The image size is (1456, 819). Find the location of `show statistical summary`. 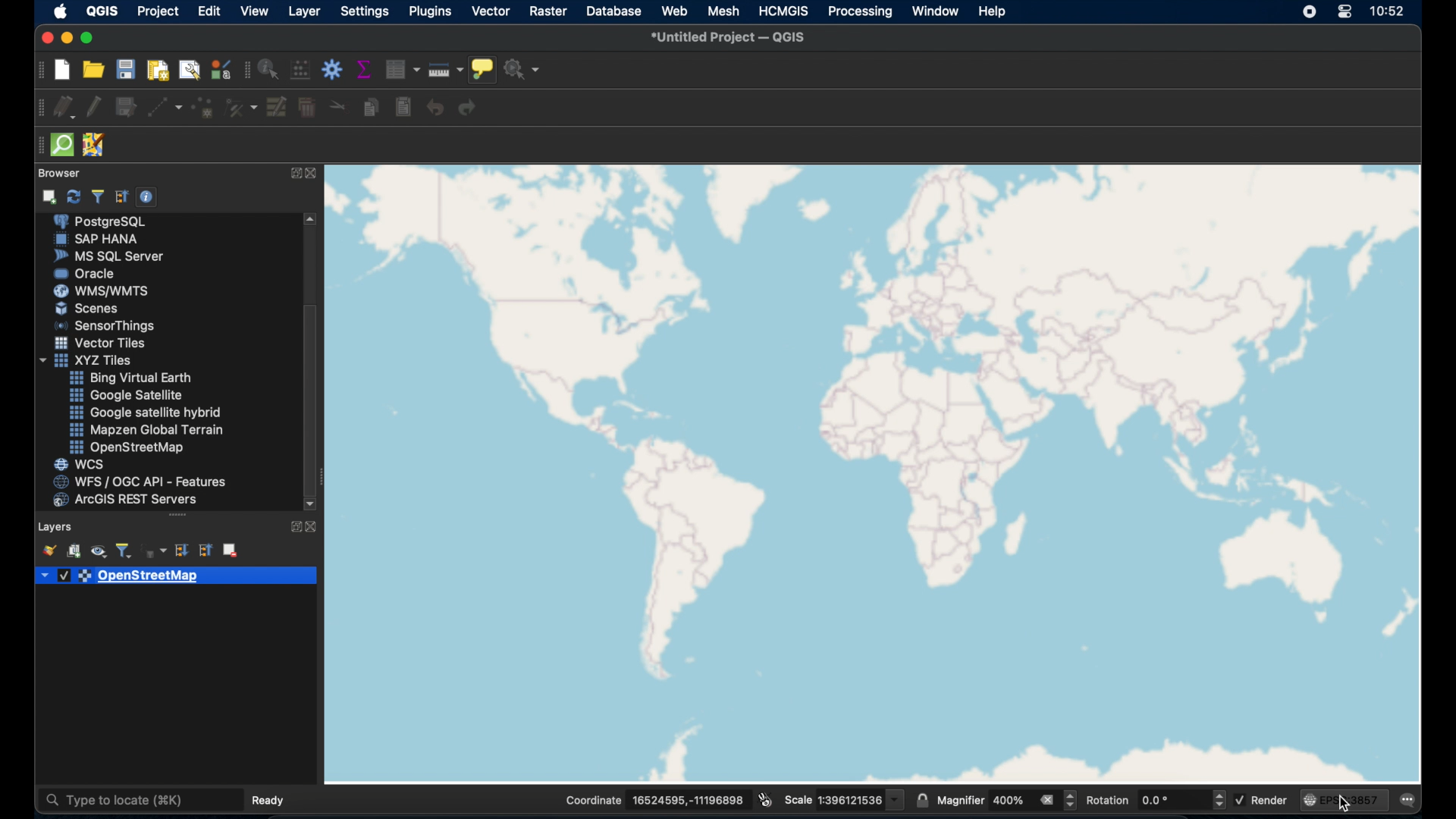

show statistical summary is located at coordinates (363, 70).